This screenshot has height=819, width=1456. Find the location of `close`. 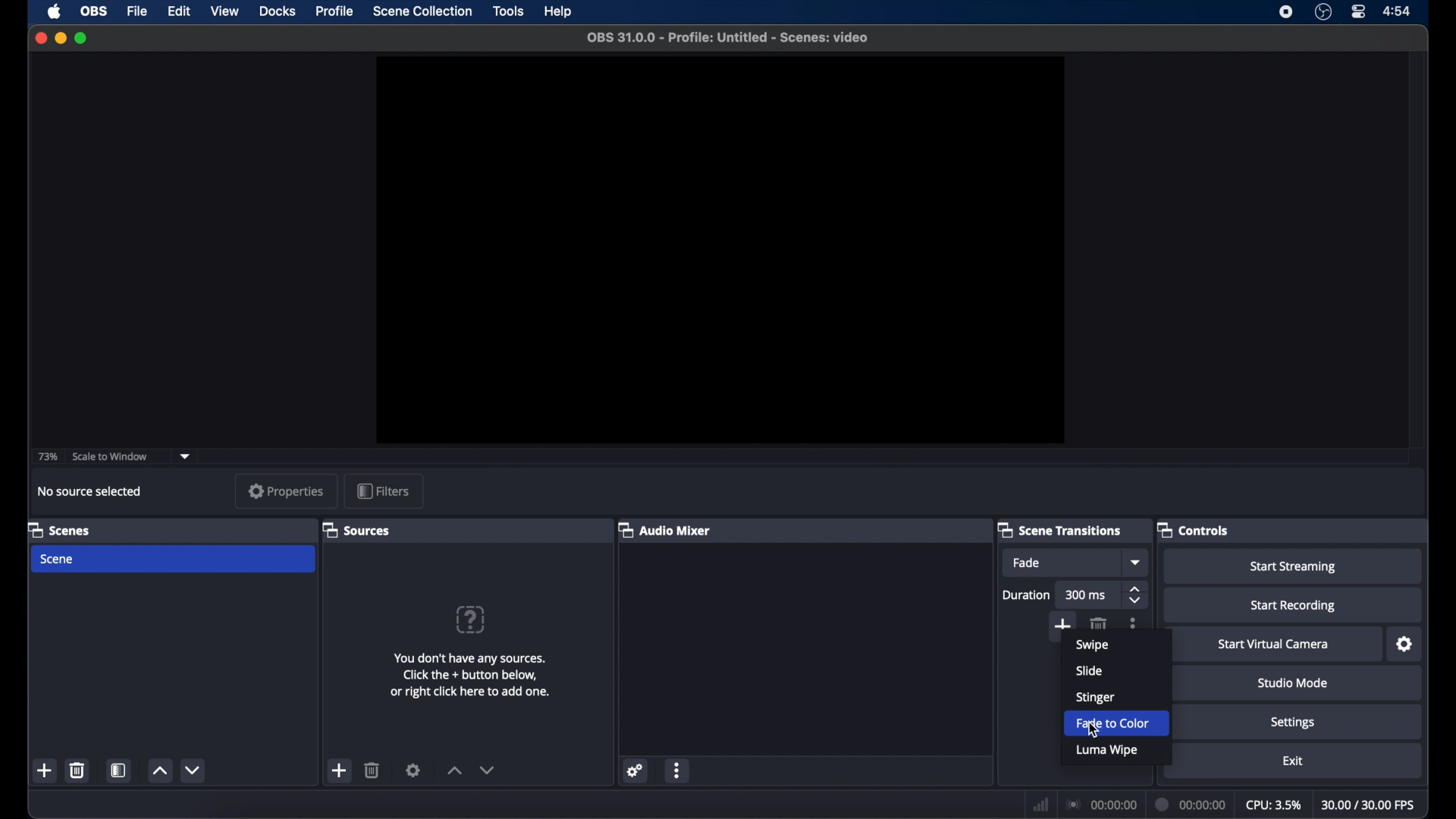

close is located at coordinates (40, 38).